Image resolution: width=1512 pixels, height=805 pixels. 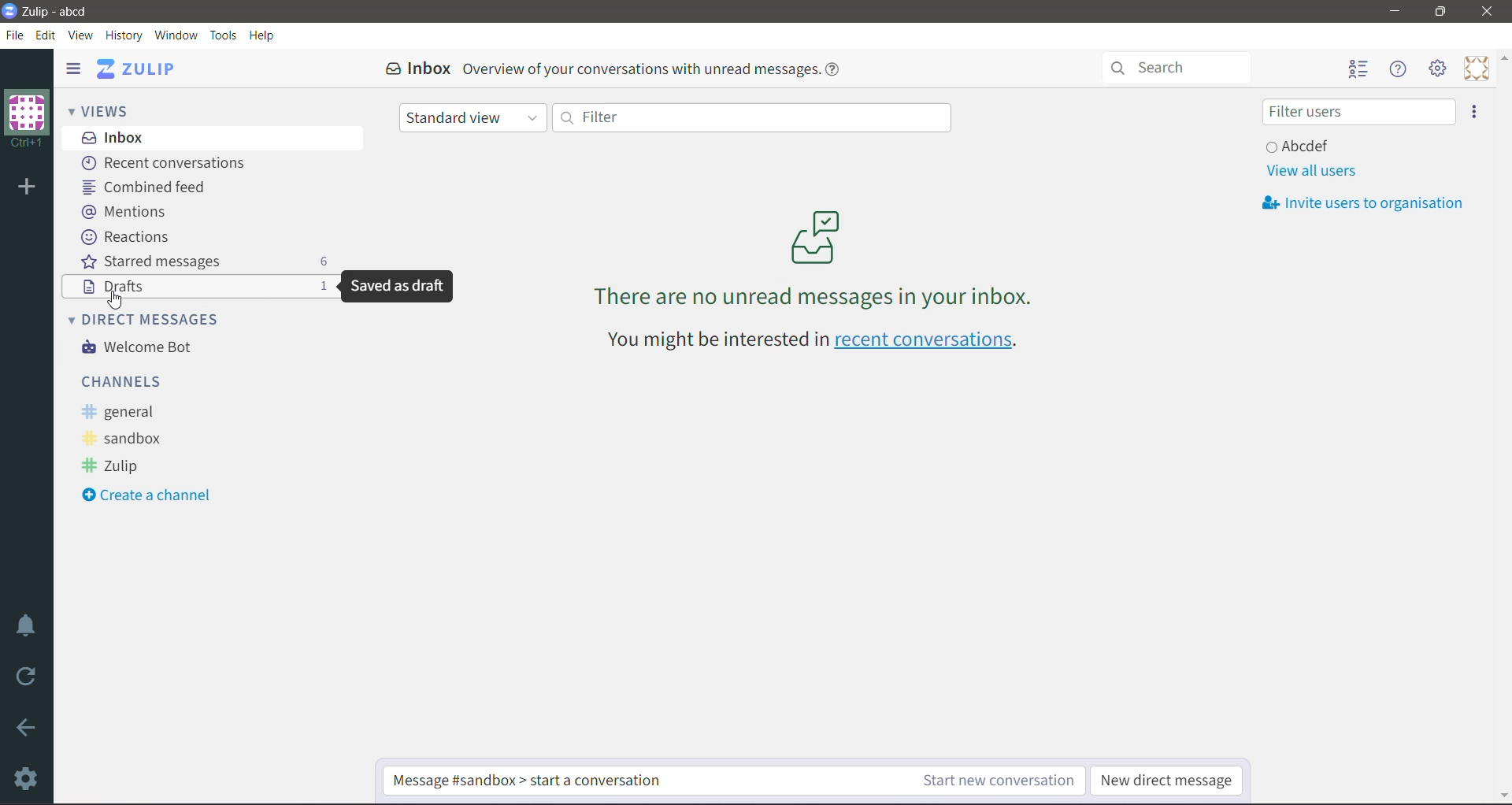 What do you see at coordinates (1399, 69) in the screenshot?
I see `Hide Menu` at bounding box center [1399, 69].